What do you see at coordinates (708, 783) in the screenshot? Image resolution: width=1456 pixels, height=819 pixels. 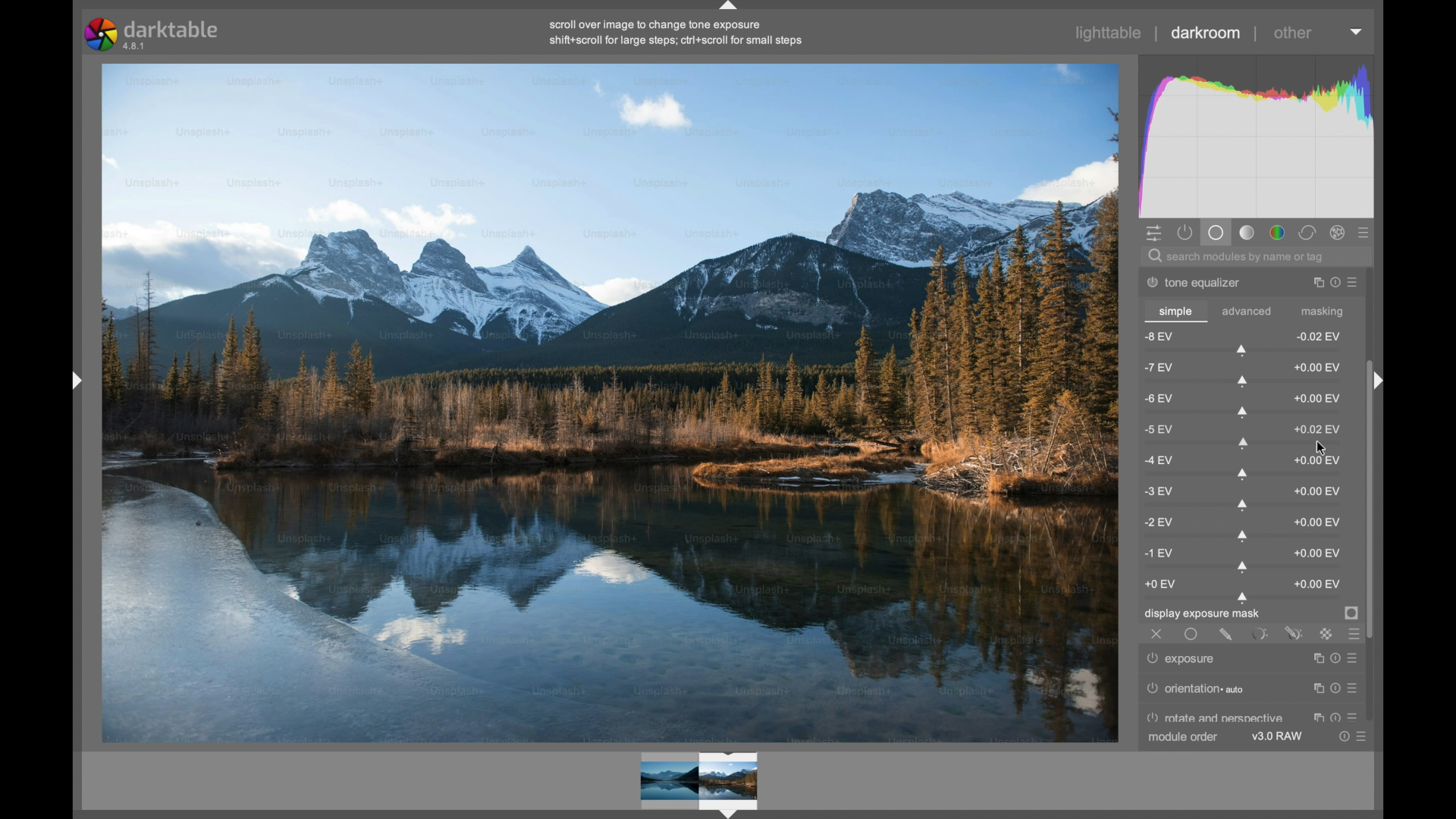 I see `Preview` at bounding box center [708, 783].